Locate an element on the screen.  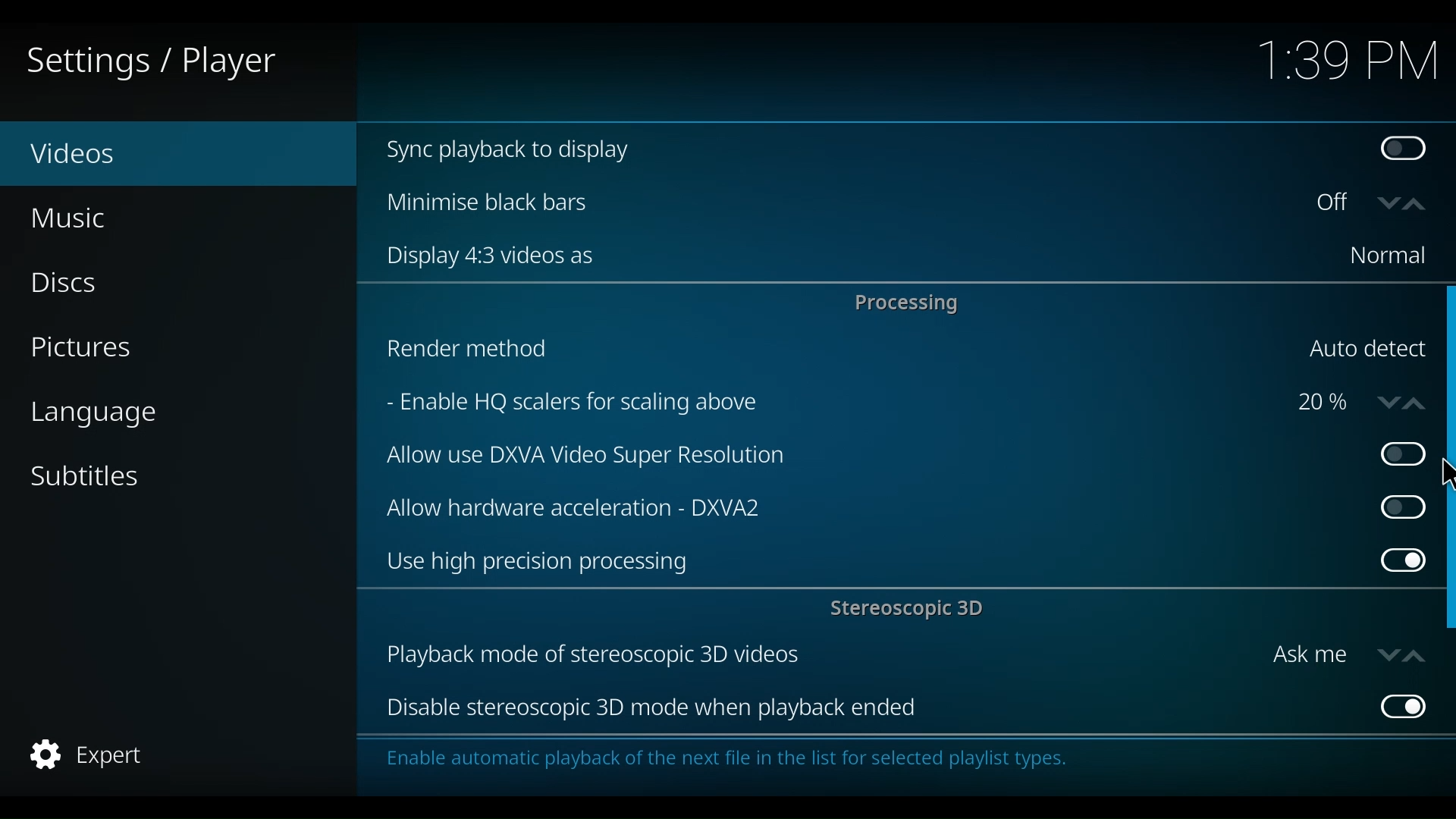
Normal is located at coordinates (1386, 256).